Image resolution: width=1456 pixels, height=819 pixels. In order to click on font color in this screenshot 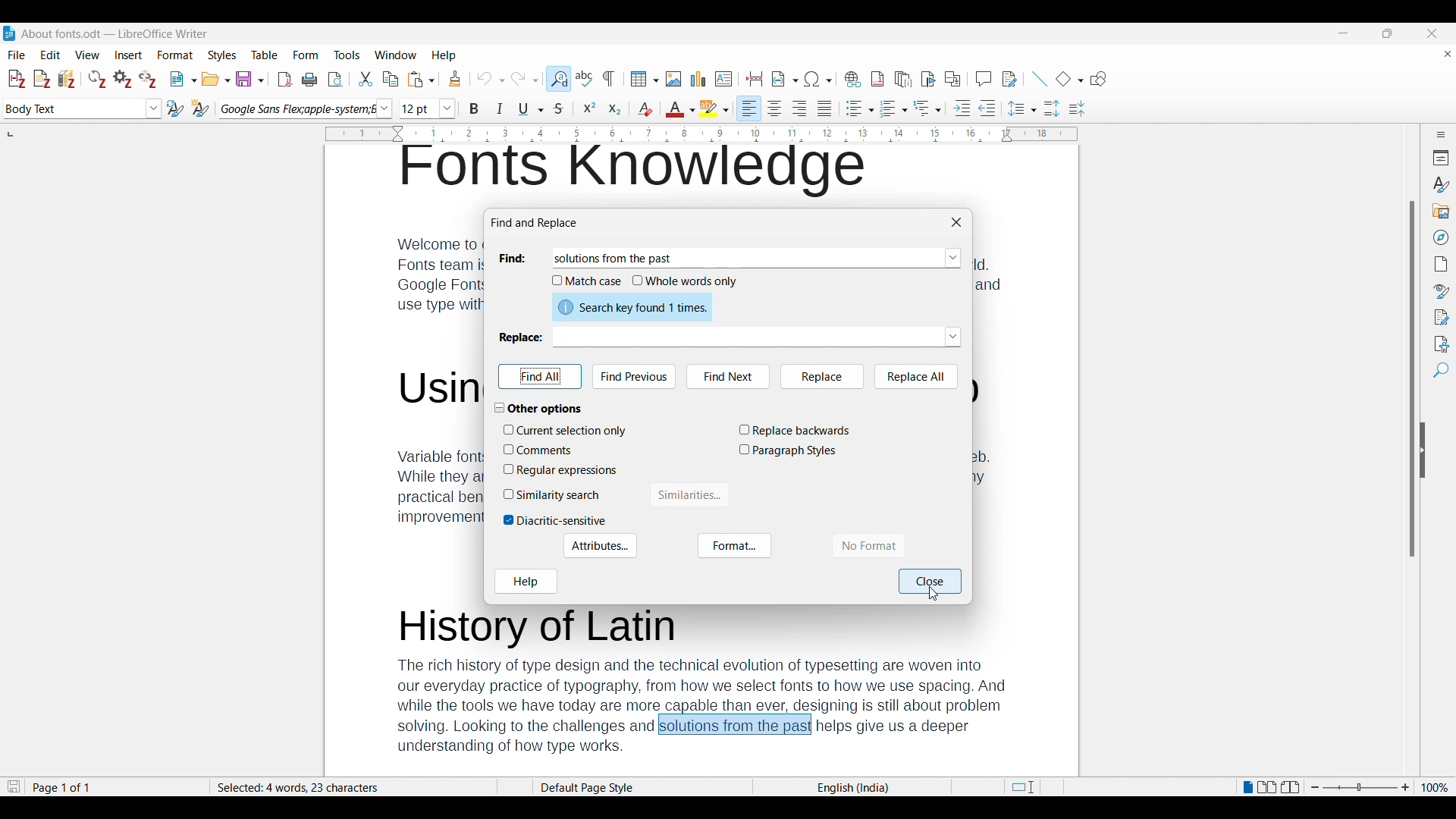, I will do `click(679, 110)`.